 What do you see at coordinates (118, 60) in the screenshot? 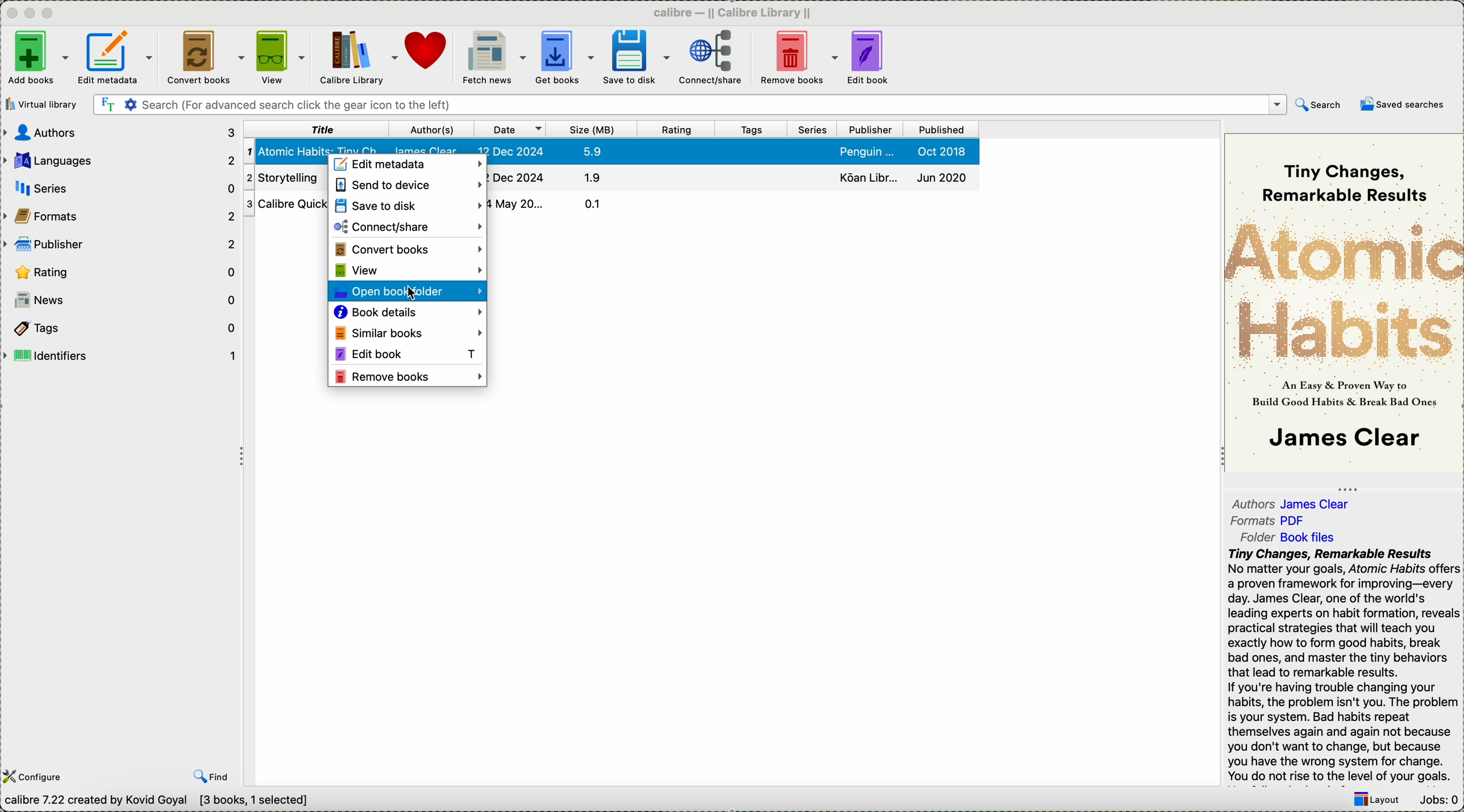
I see `edit metadata` at bounding box center [118, 60].